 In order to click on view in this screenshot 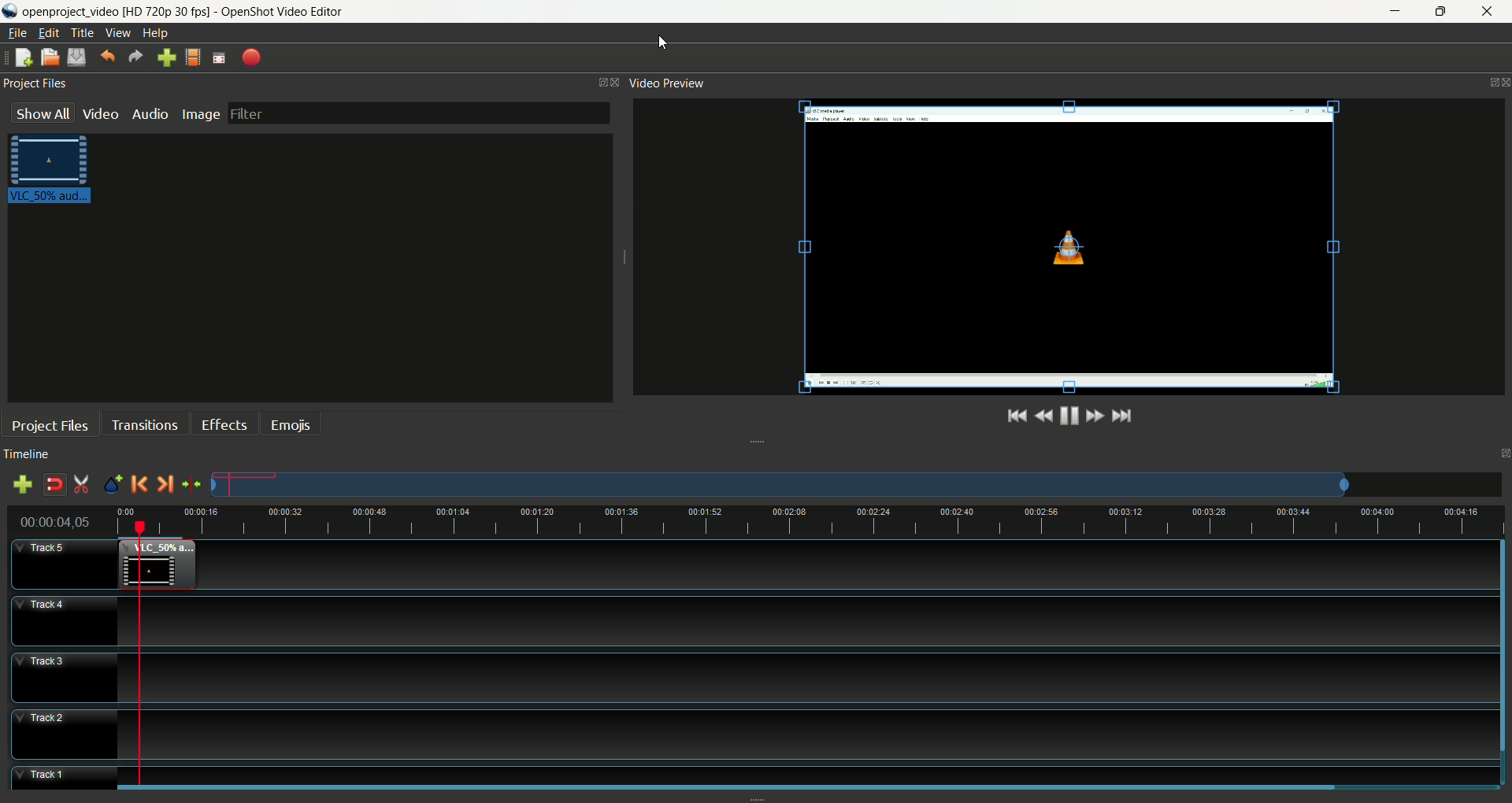, I will do `click(117, 34)`.